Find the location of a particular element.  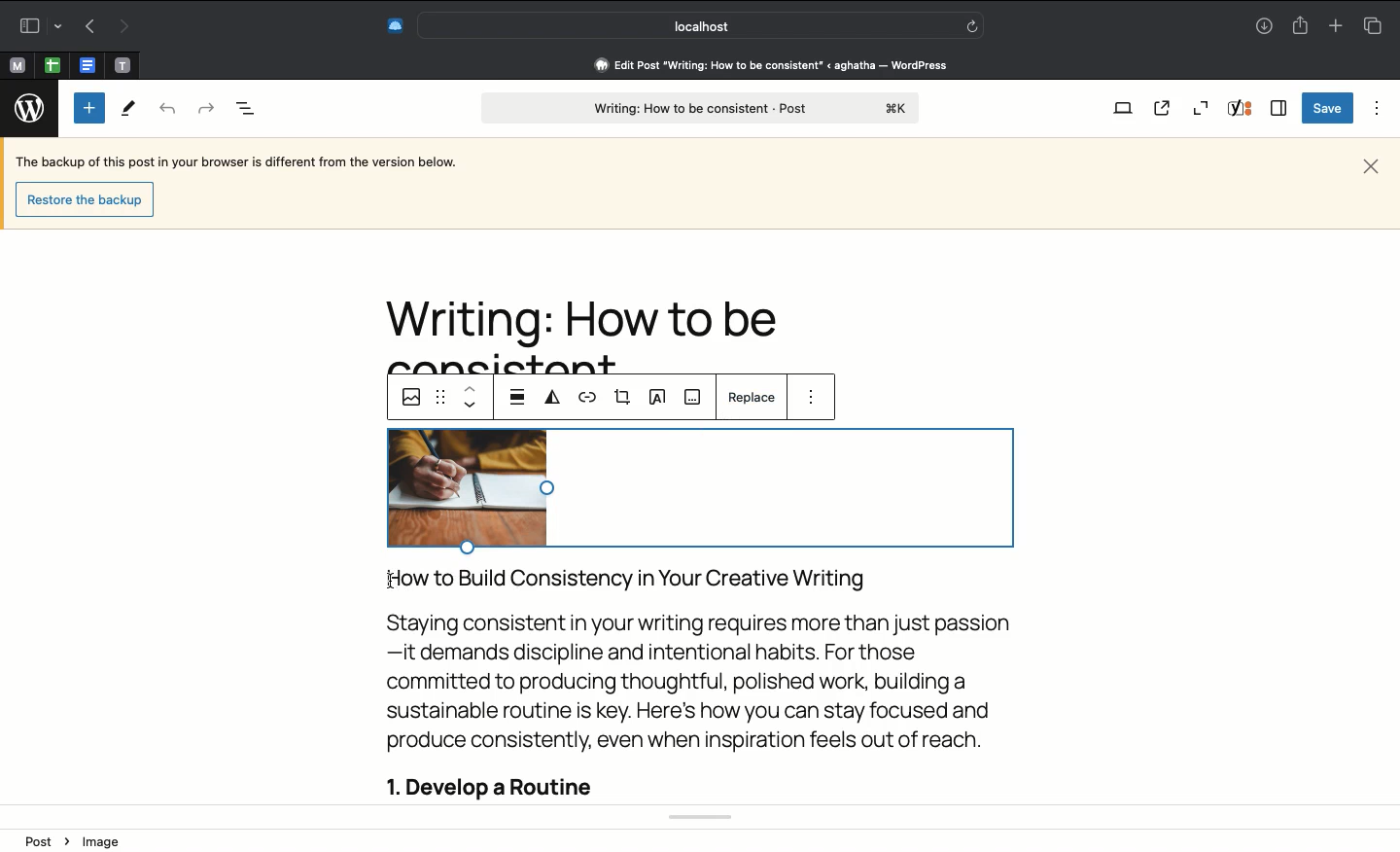

Pinned tabs is located at coordinates (87, 64).